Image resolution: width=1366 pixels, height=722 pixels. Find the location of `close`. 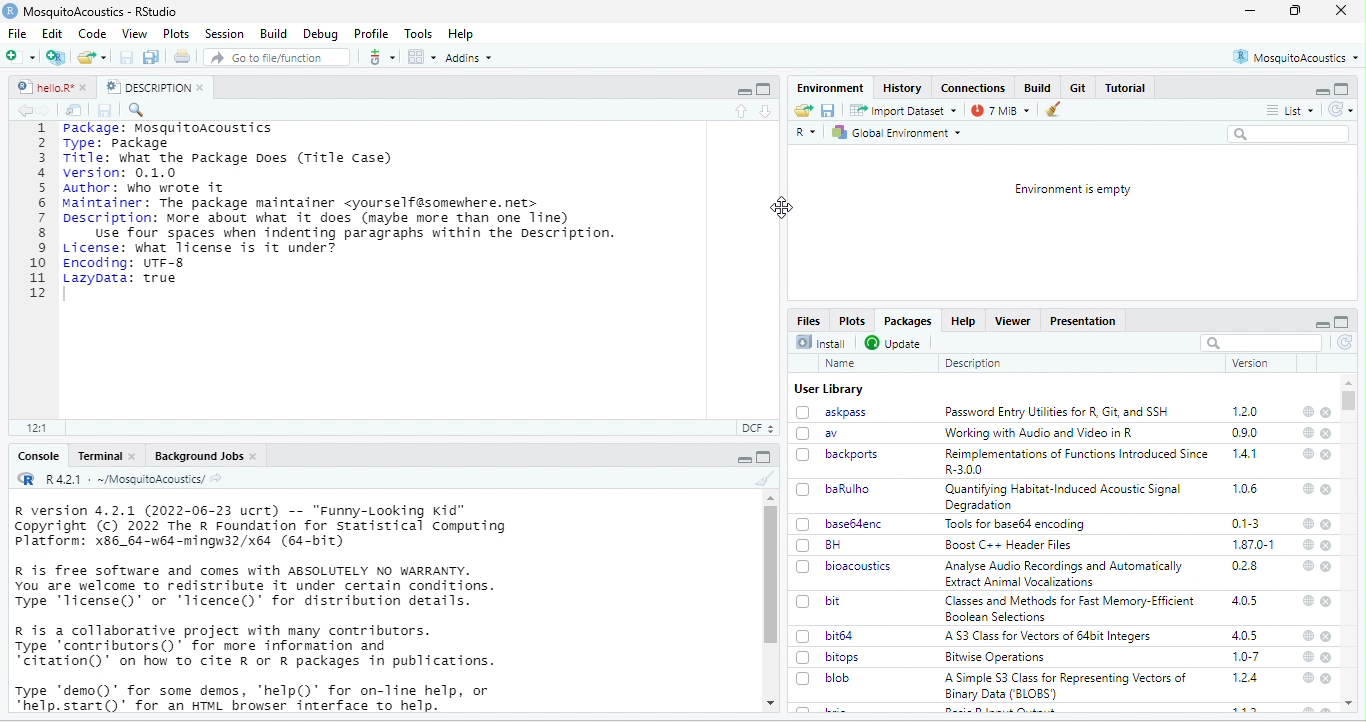

close is located at coordinates (1328, 490).